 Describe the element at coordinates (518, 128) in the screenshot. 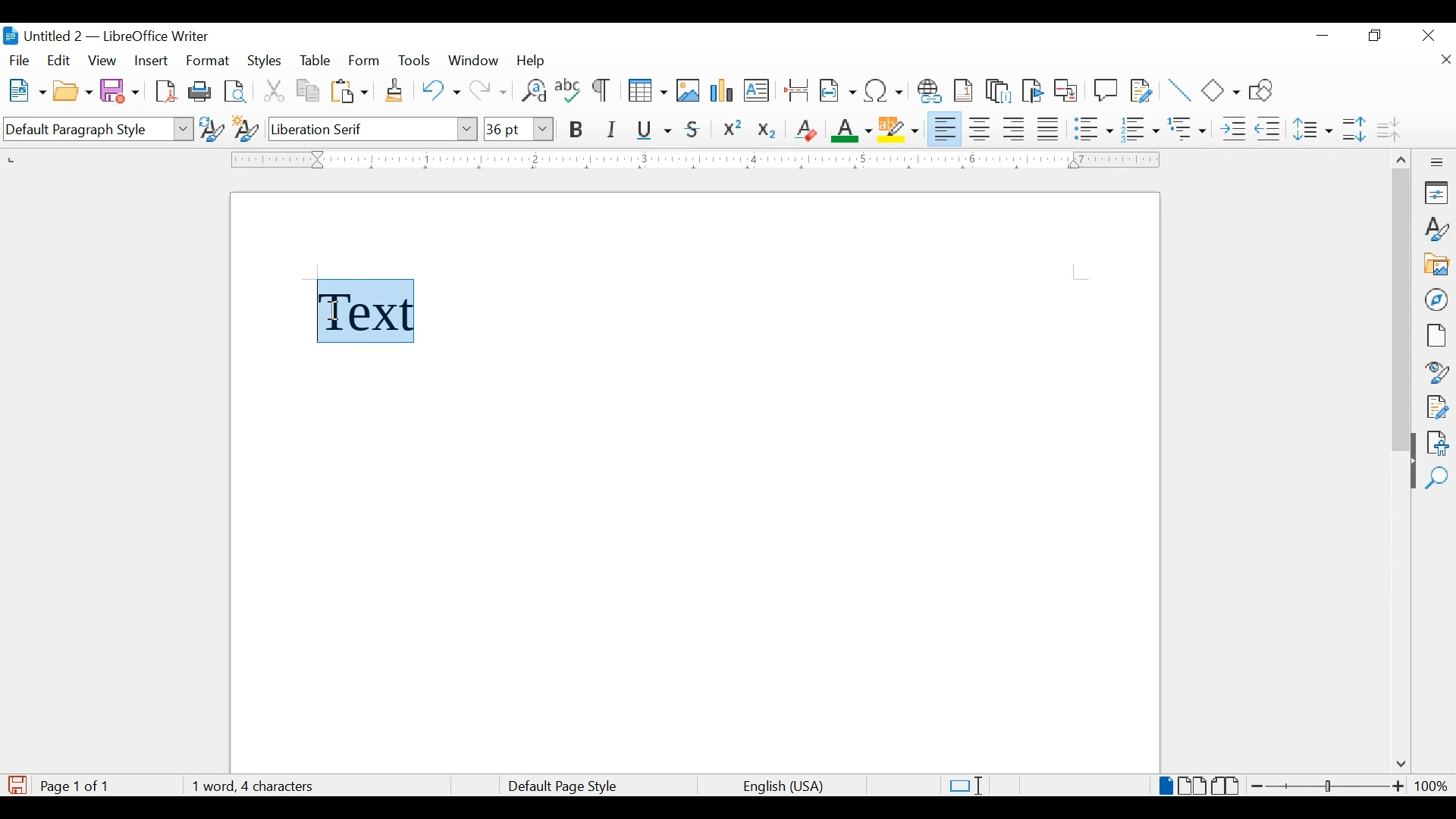

I see `font size` at that location.